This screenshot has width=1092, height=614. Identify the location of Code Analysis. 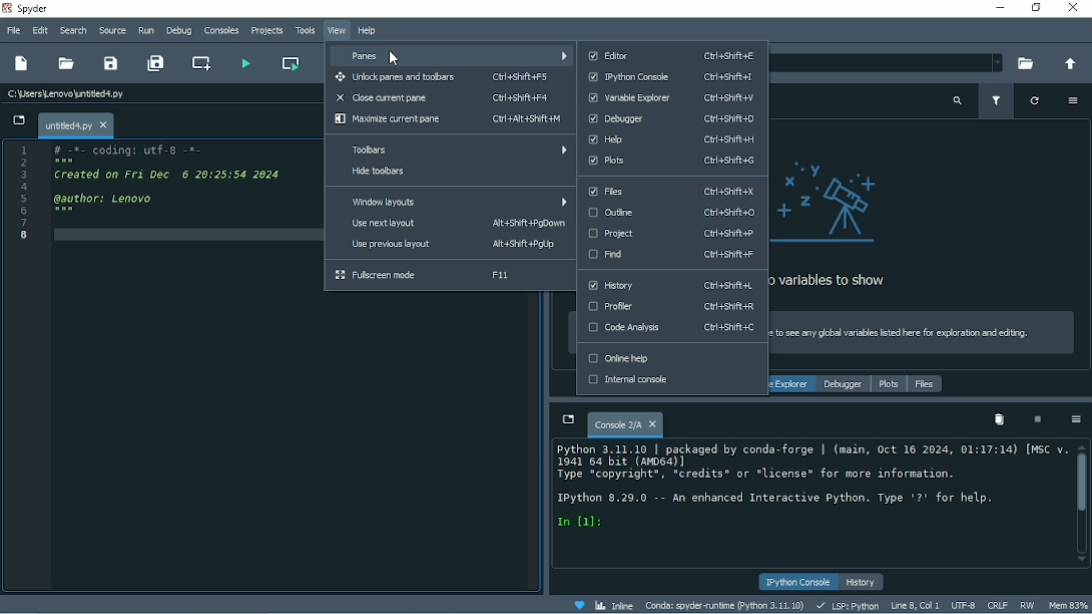
(677, 329).